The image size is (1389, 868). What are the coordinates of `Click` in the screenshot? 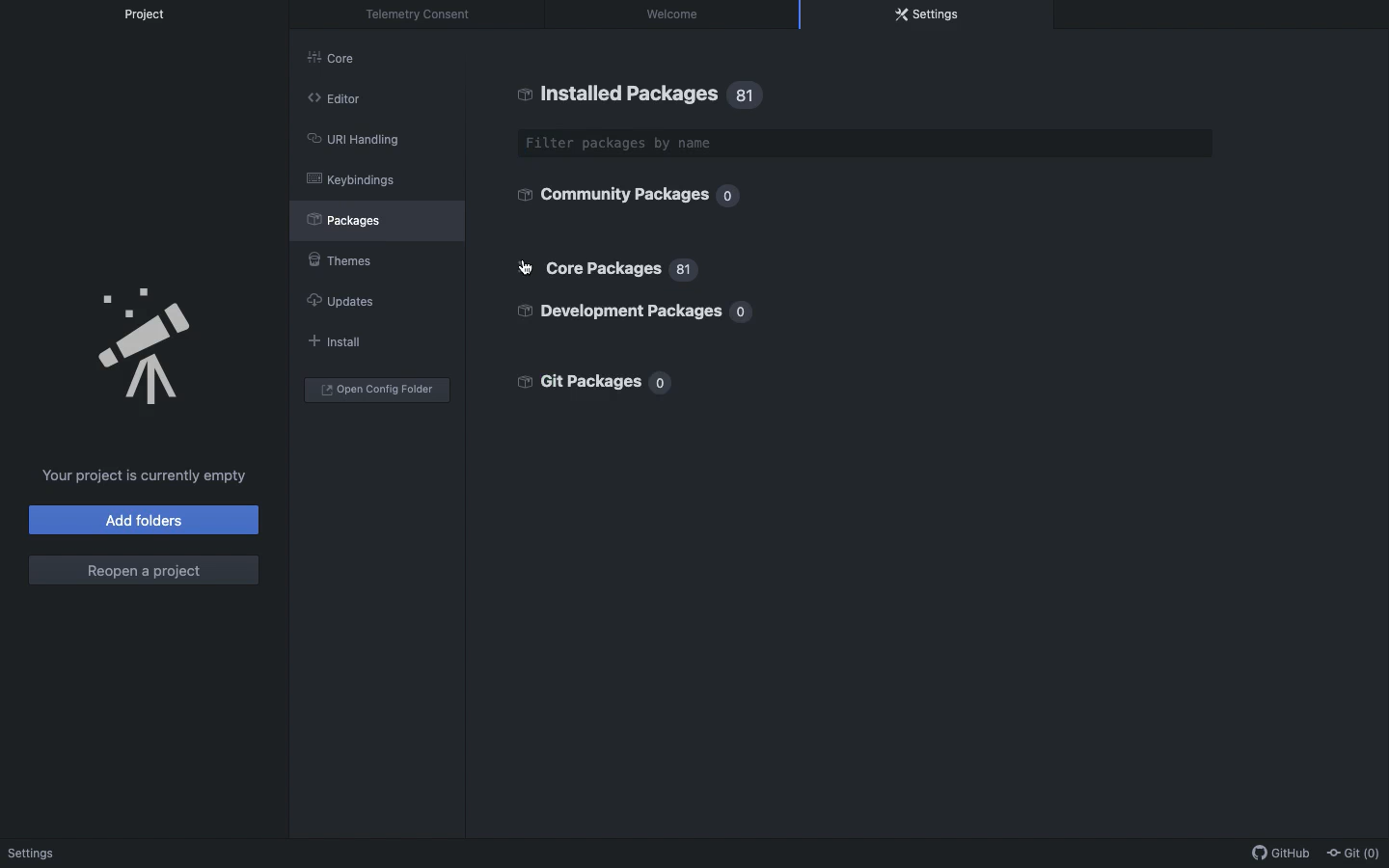 It's located at (524, 268).